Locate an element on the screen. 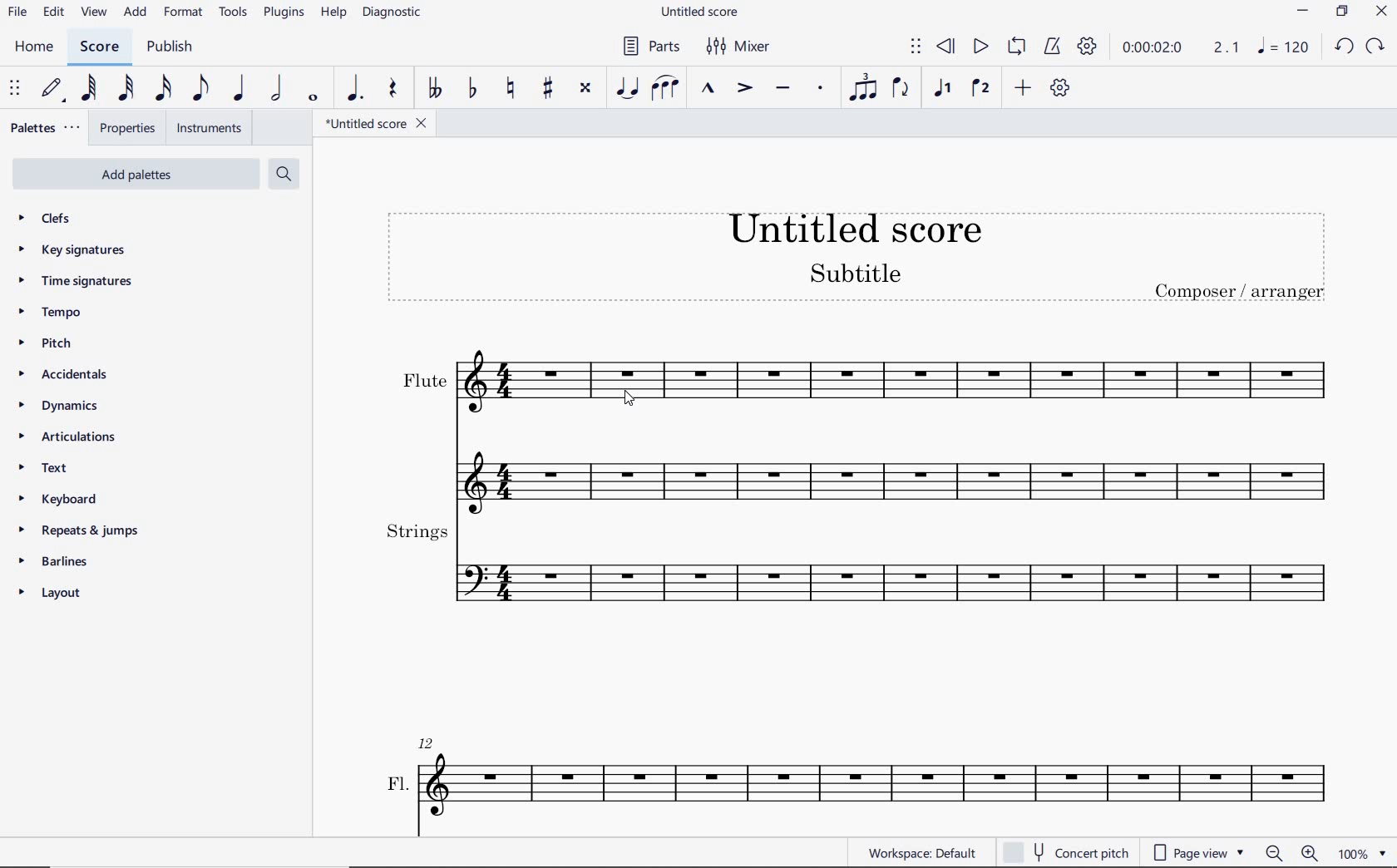 The height and width of the screenshot is (868, 1397). ADD is located at coordinates (1025, 87).